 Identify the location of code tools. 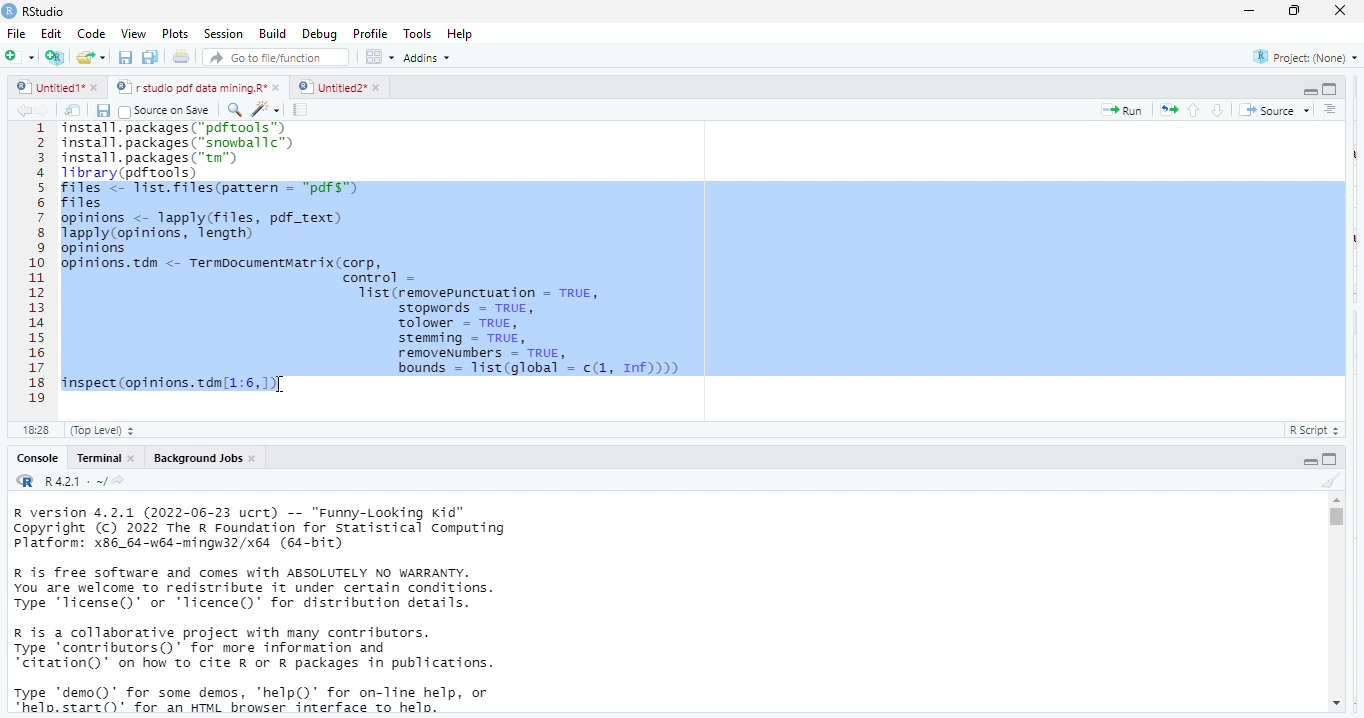
(265, 108).